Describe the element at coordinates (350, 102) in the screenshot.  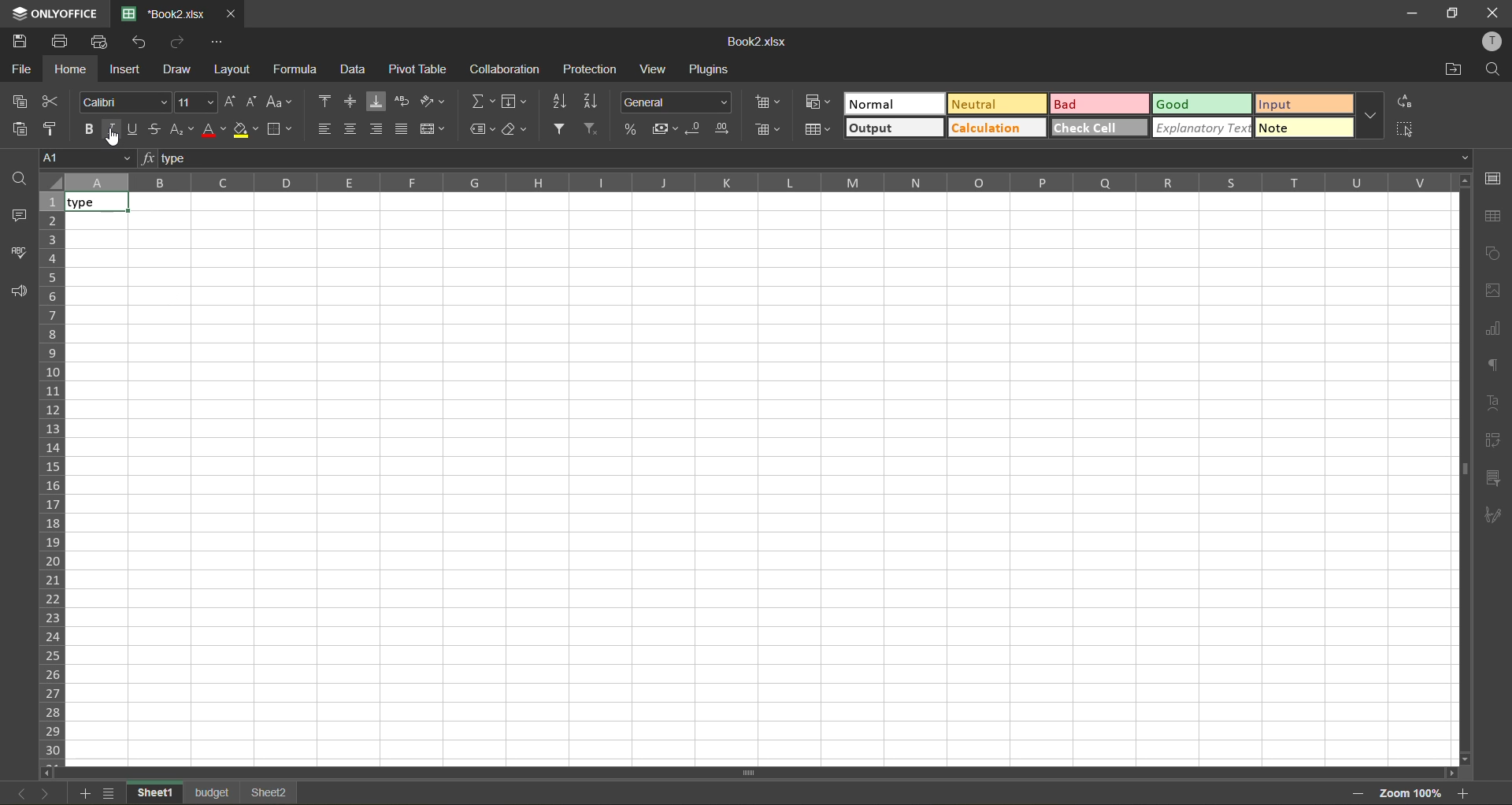
I see `align middle` at that location.